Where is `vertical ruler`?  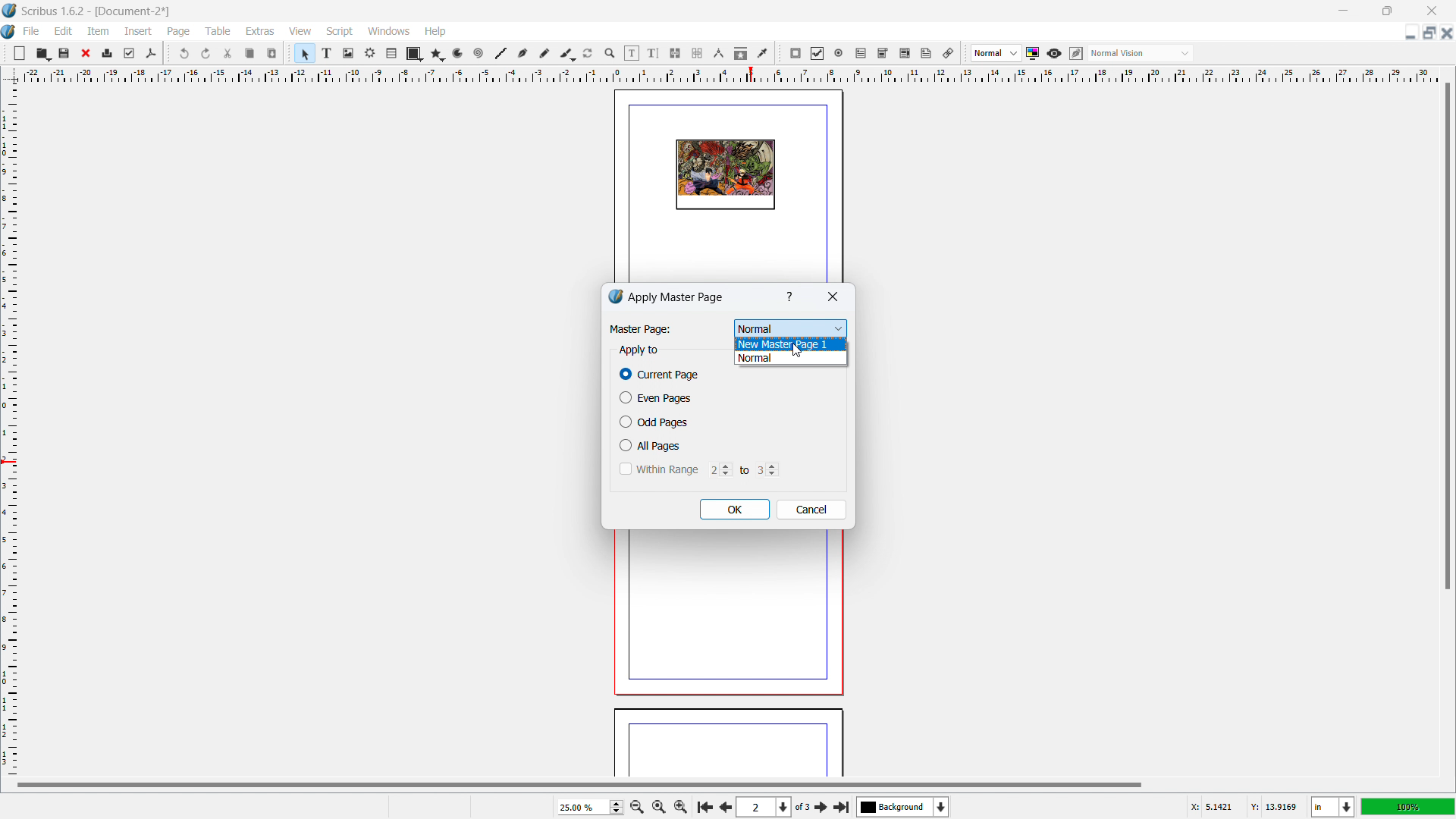
vertical ruler is located at coordinates (9, 430).